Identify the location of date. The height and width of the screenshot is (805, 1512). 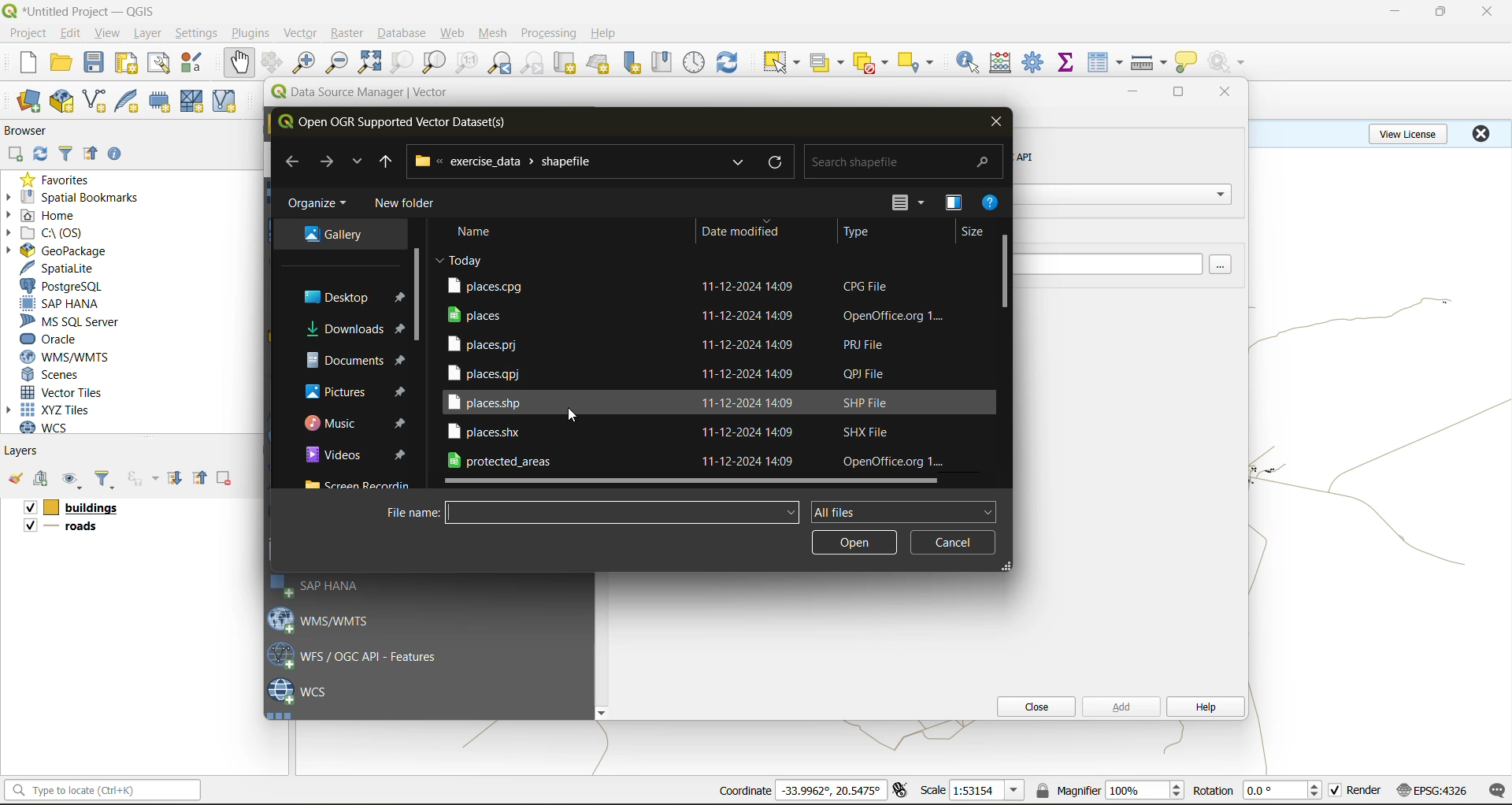
(461, 259).